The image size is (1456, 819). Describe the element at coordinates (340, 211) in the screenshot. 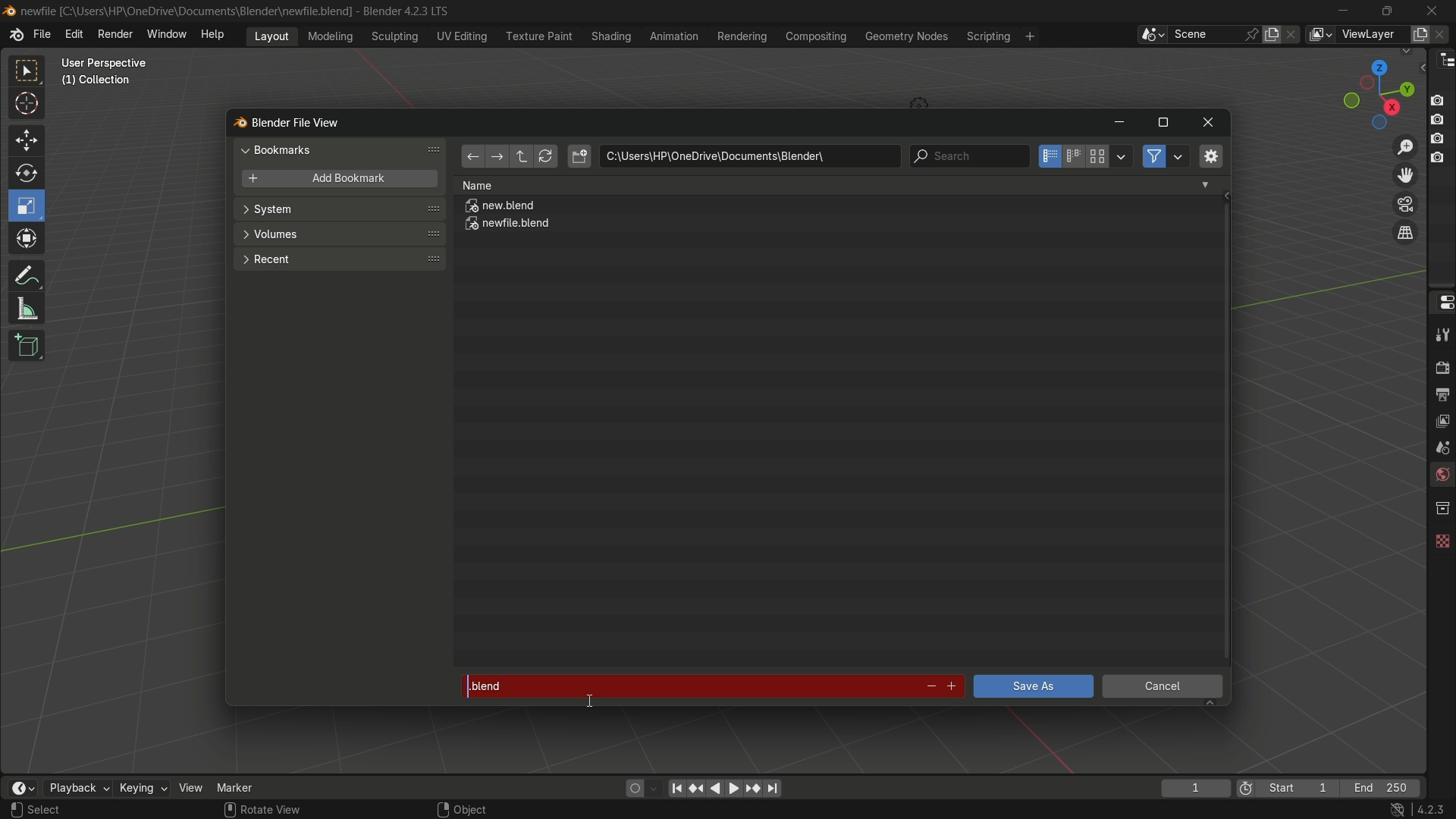

I see `system` at that location.